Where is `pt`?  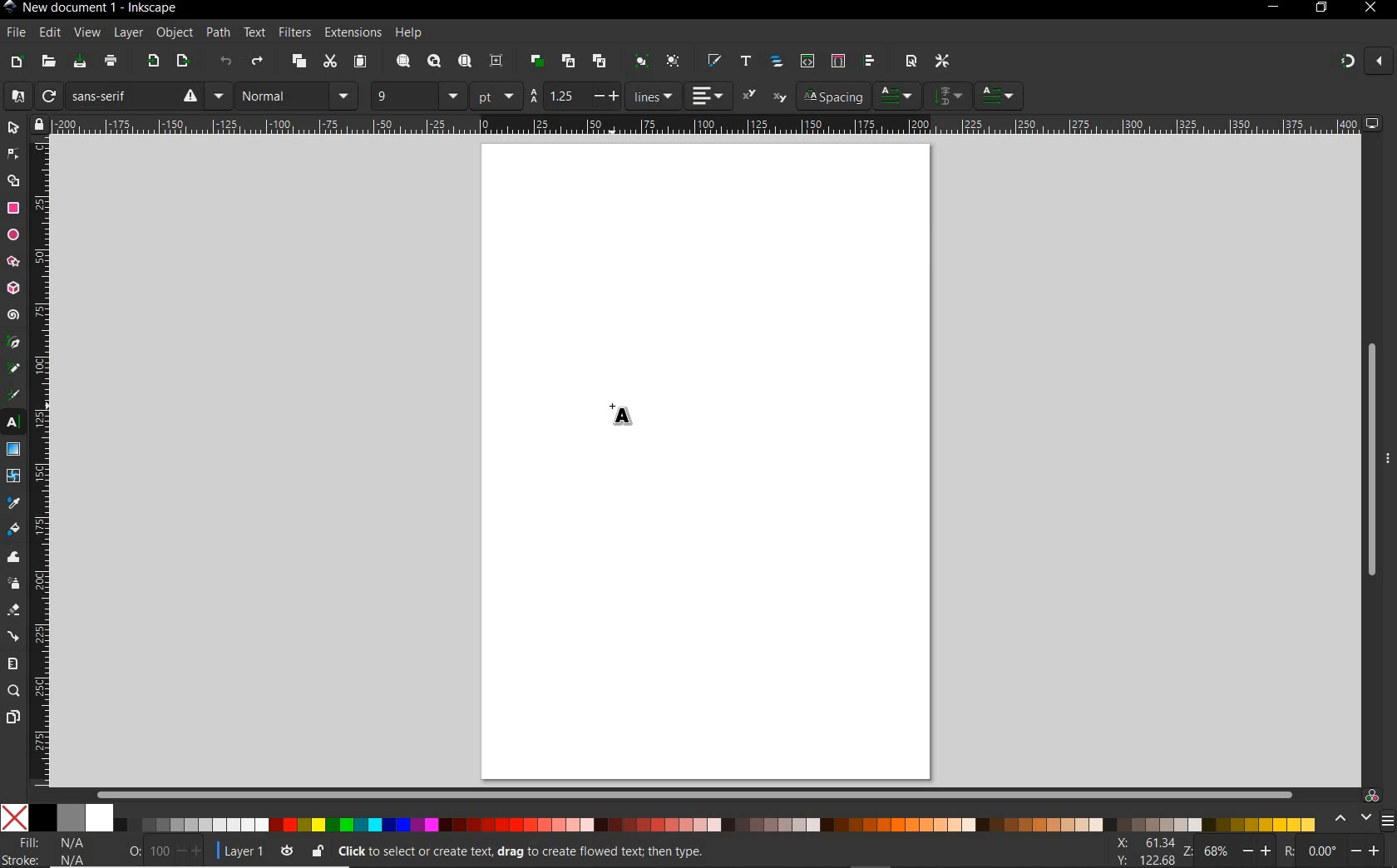
pt is located at coordinates (496, 96).